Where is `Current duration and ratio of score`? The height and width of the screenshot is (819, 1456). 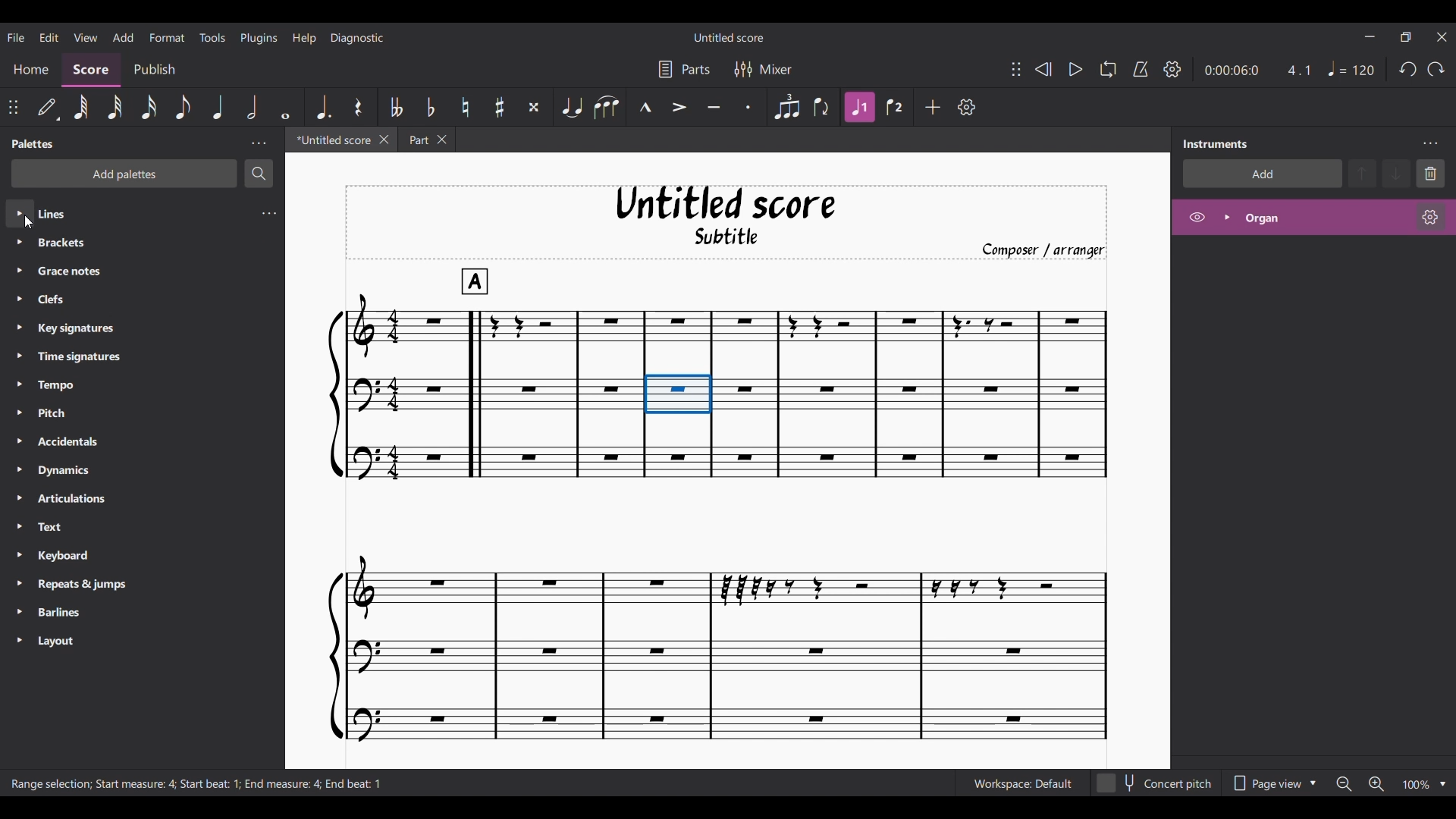 Current duration and ratio of score is located at coordinates (1257, 70).